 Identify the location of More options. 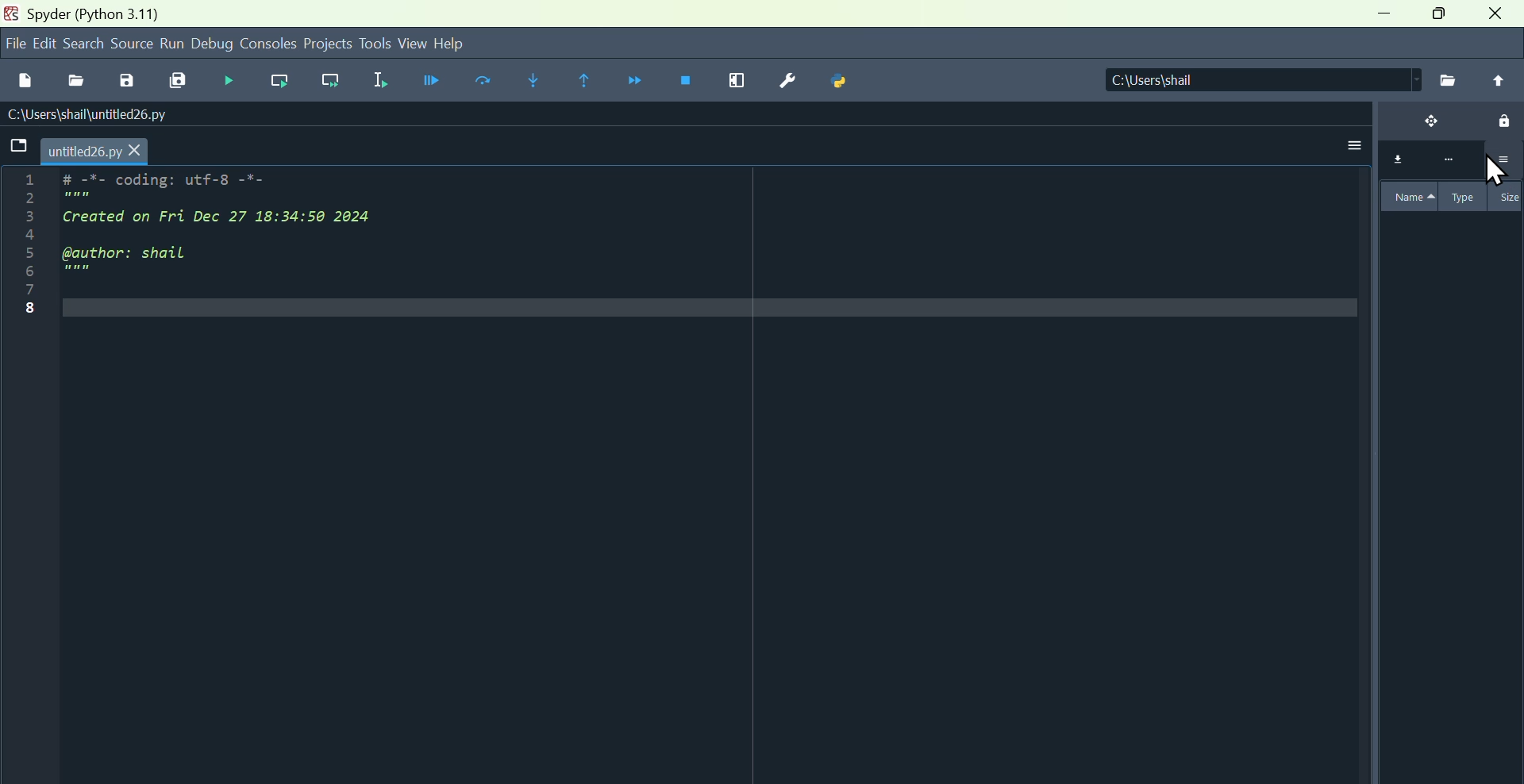
(1350, 140).